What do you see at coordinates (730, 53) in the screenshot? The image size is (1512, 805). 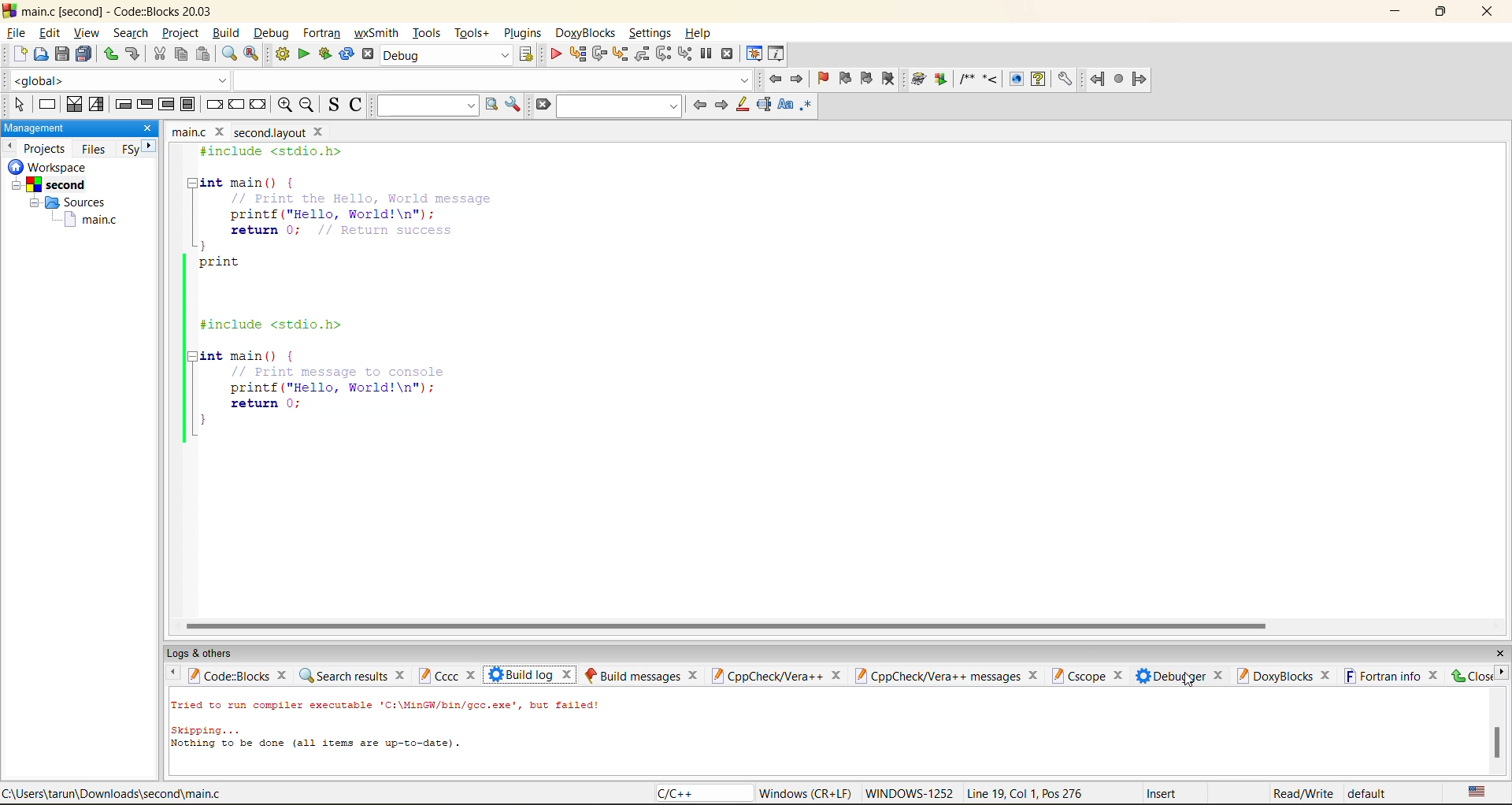 I see `stop debugger` at bounding box center [730, 53].